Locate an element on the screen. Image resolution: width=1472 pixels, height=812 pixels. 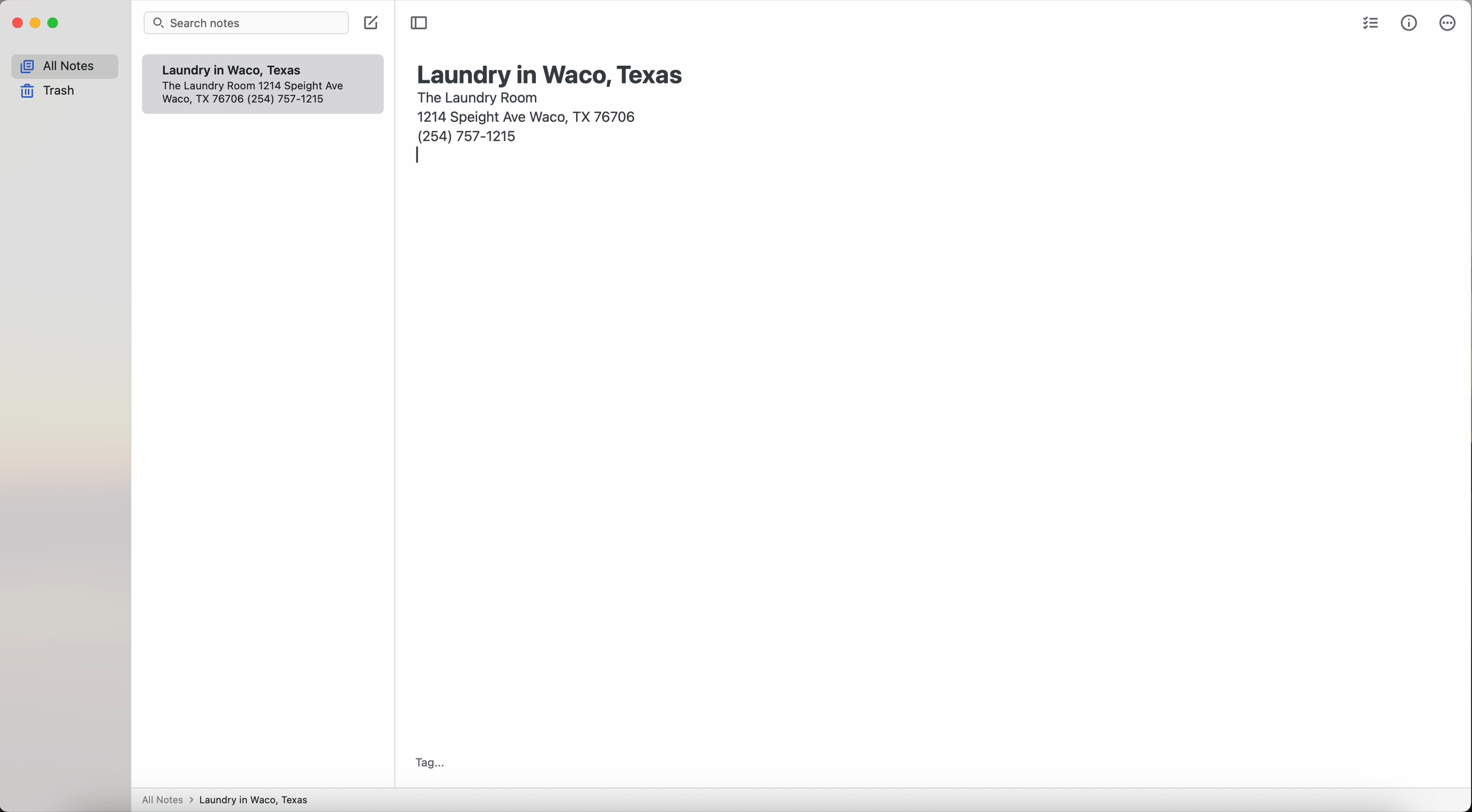
tag is located at coordinates (426, 763).